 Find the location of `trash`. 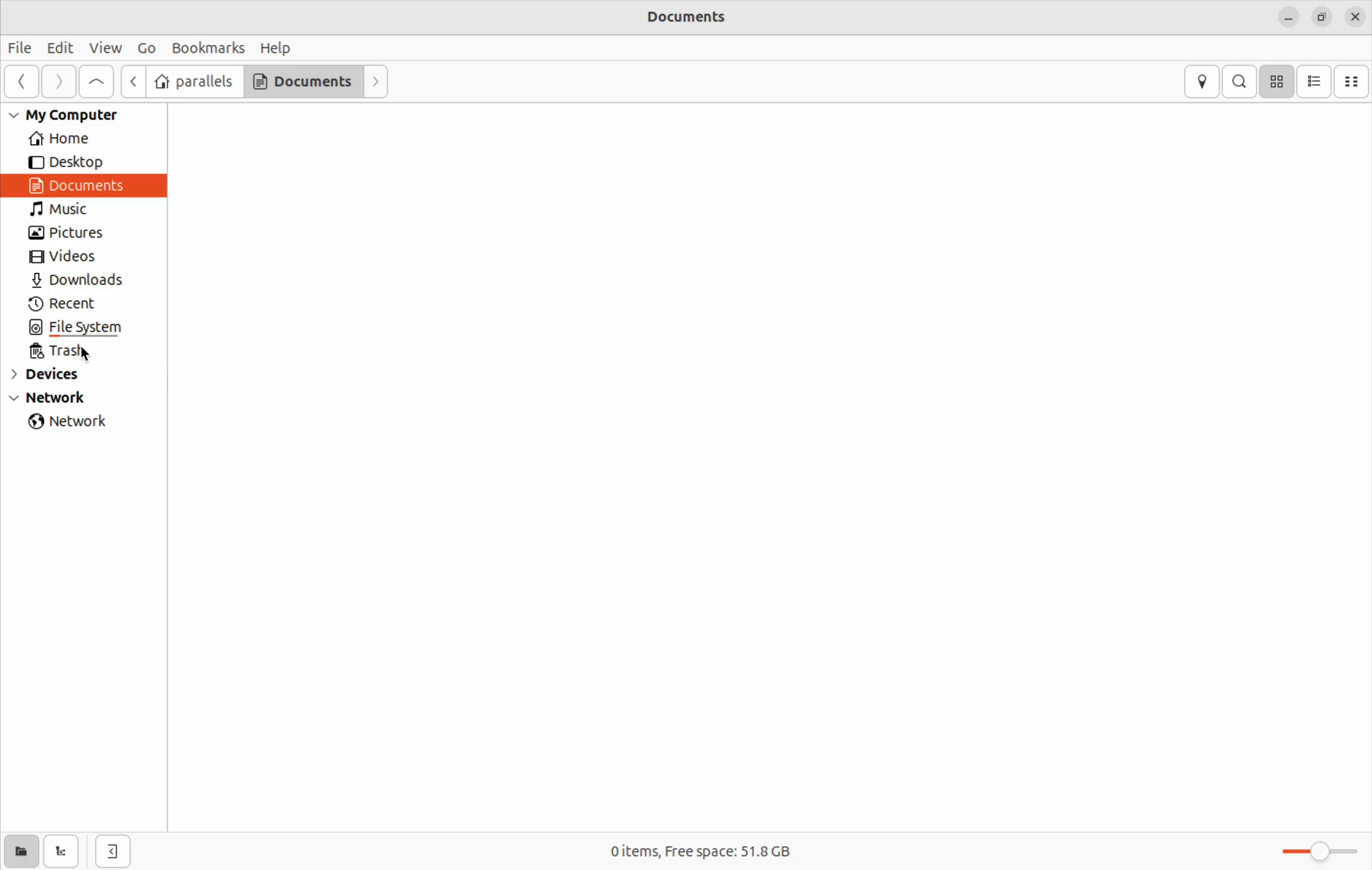

trash is located at coordinates (76, 350).